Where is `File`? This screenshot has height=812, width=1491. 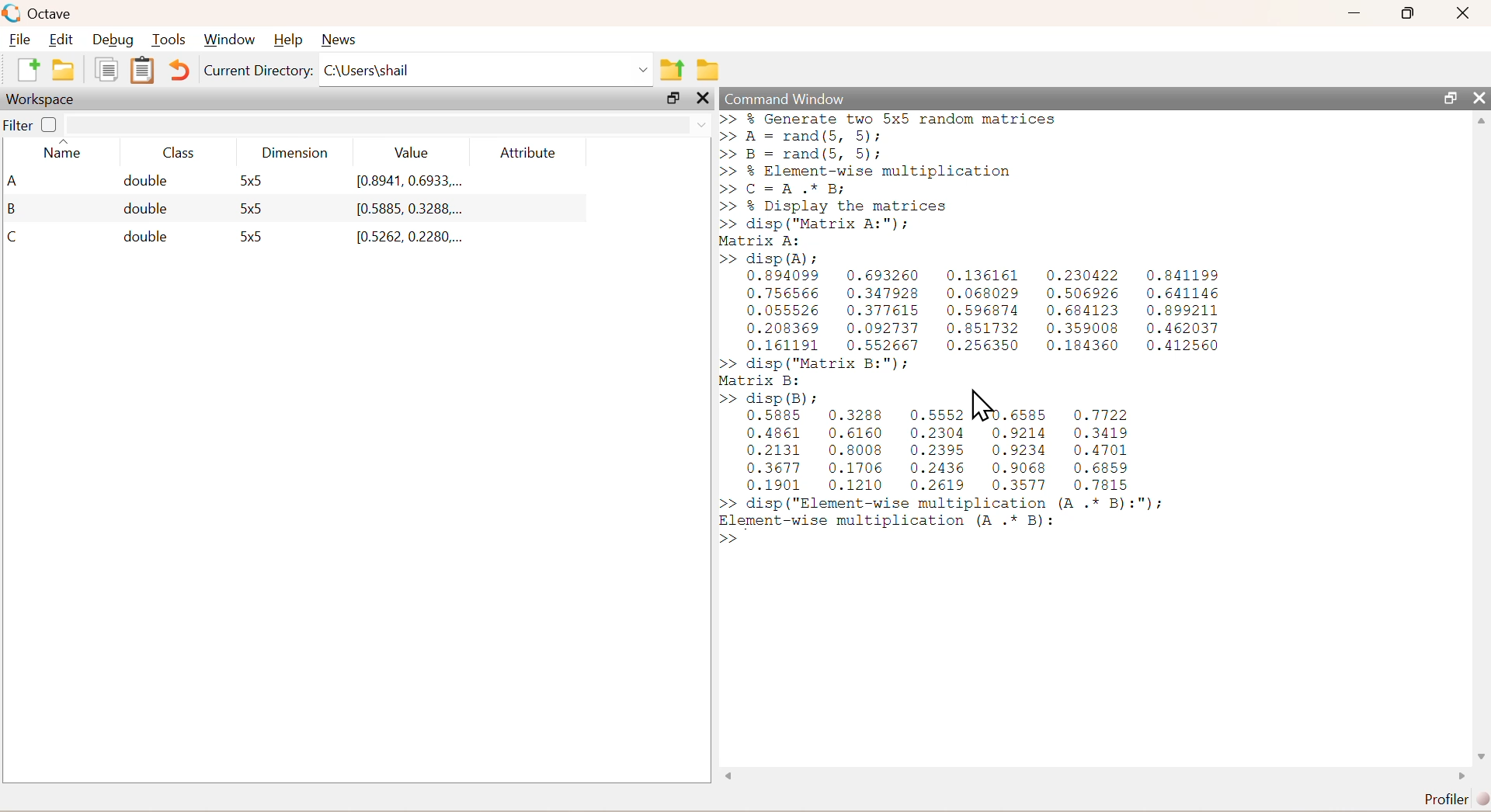
File is located at coordinates (22, 38).